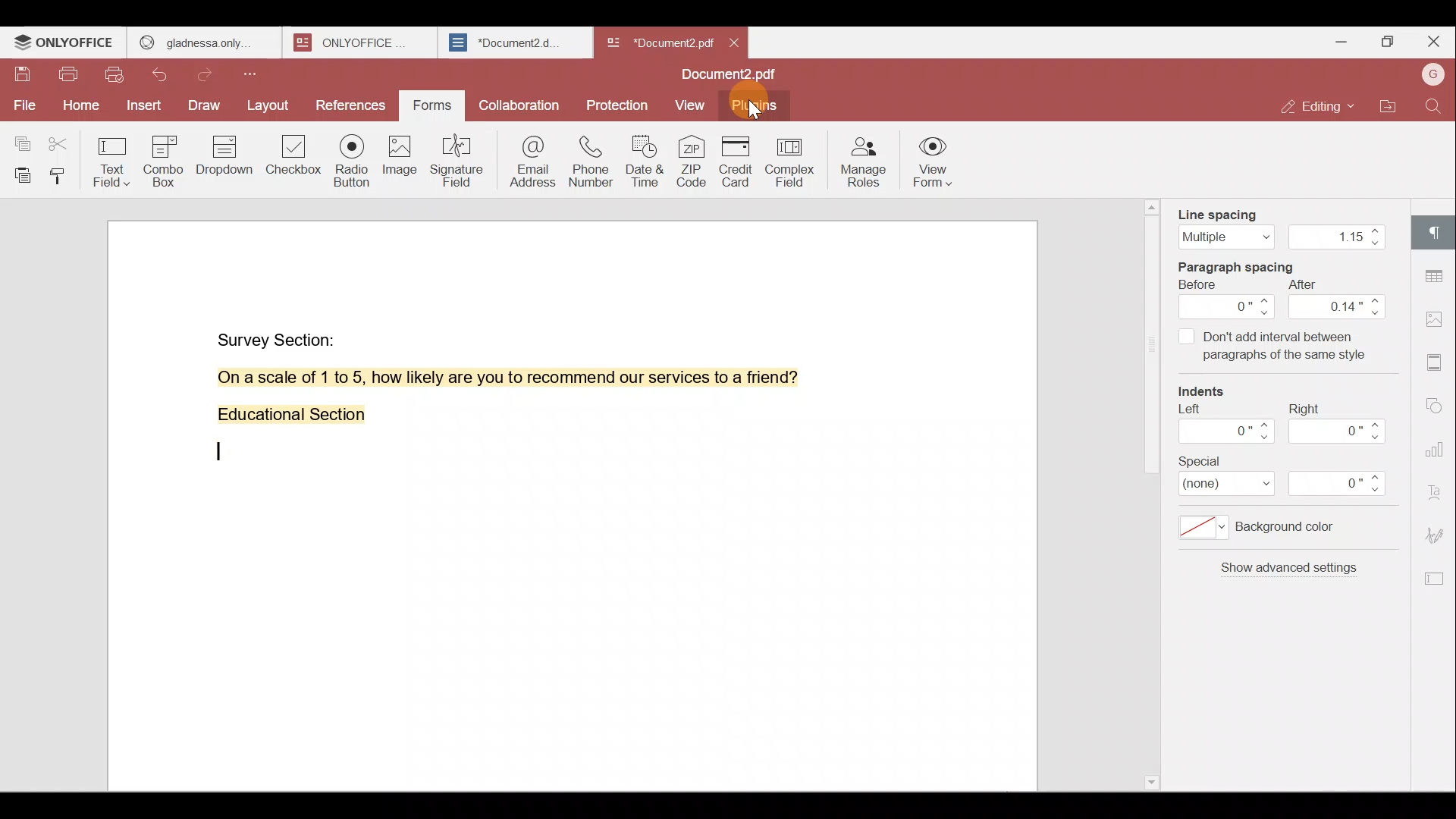 The height and width of the screenshot is (819, 1456). Describe the element at coordinates (1439, 322) in the screenshot. I see `Image settings` at that location.